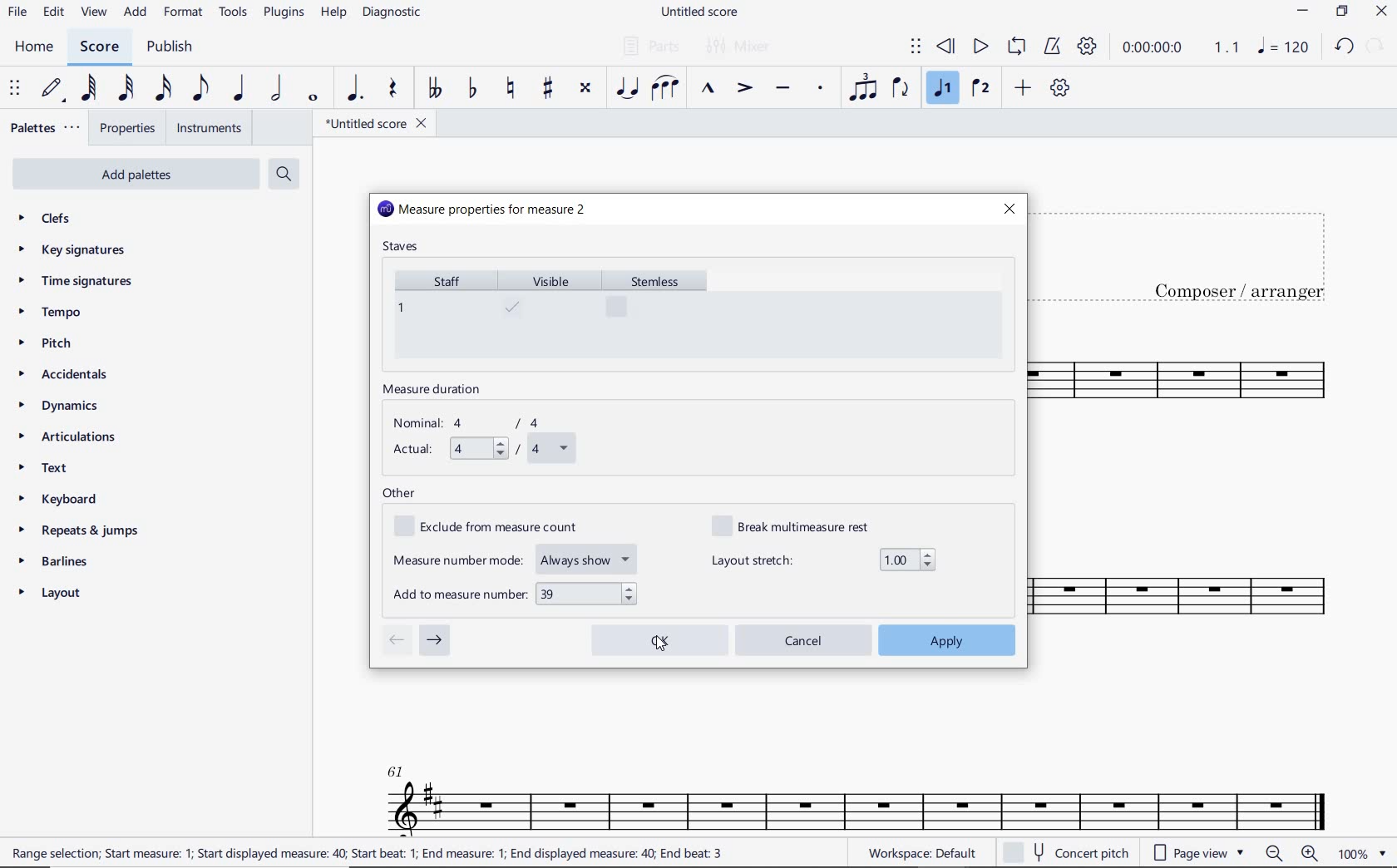  What do you see at coordinates (434, 88) in the screenshot?
I see `TOGGLE-DOUBLE FLAT` at bounding box center [434, 88].